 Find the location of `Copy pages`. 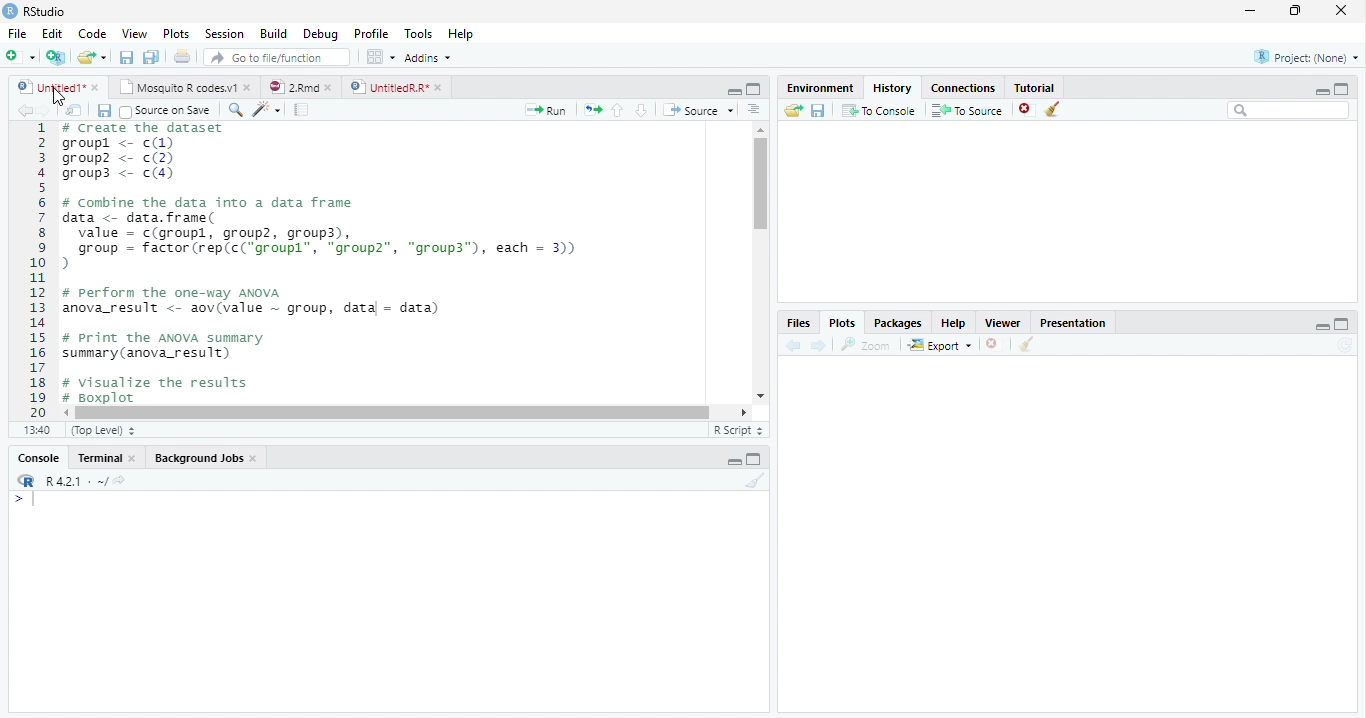

Copy pages is located at coordinates (590, 109).